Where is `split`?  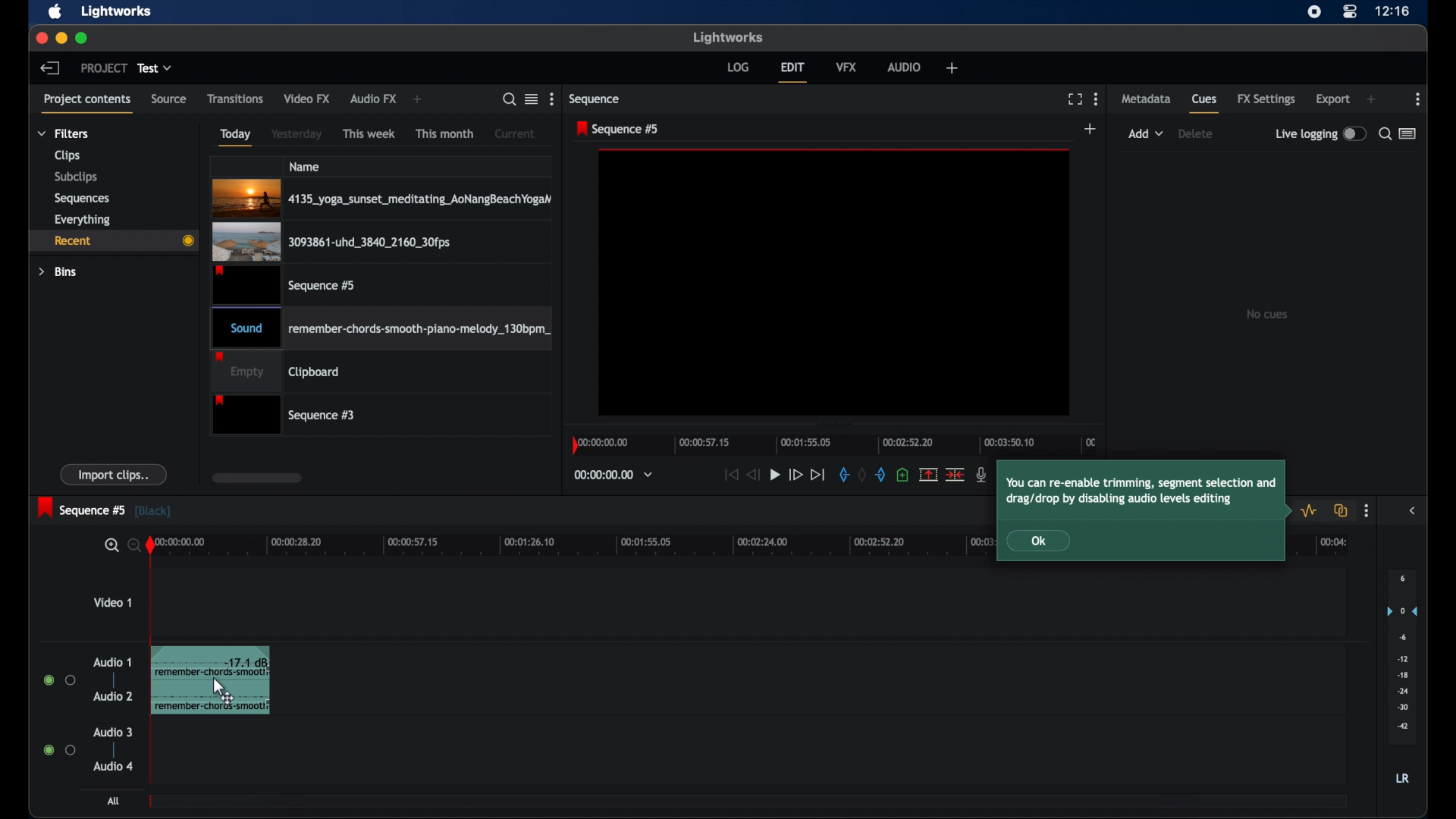
split is located at coordinates (928, 474).